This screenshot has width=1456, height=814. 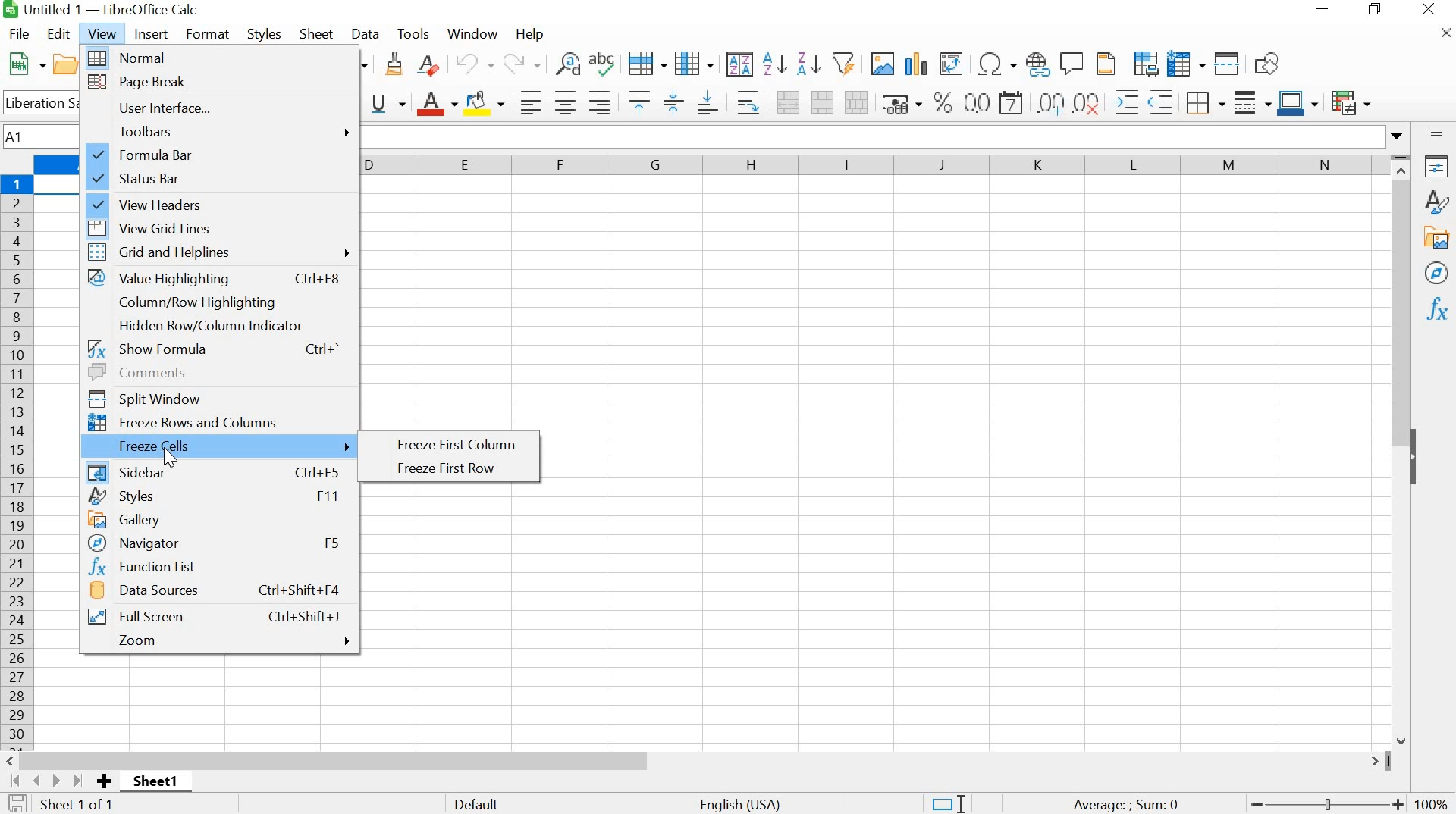 I want to click on FORMAT AS NUMBER, so click(x=977, y=102).